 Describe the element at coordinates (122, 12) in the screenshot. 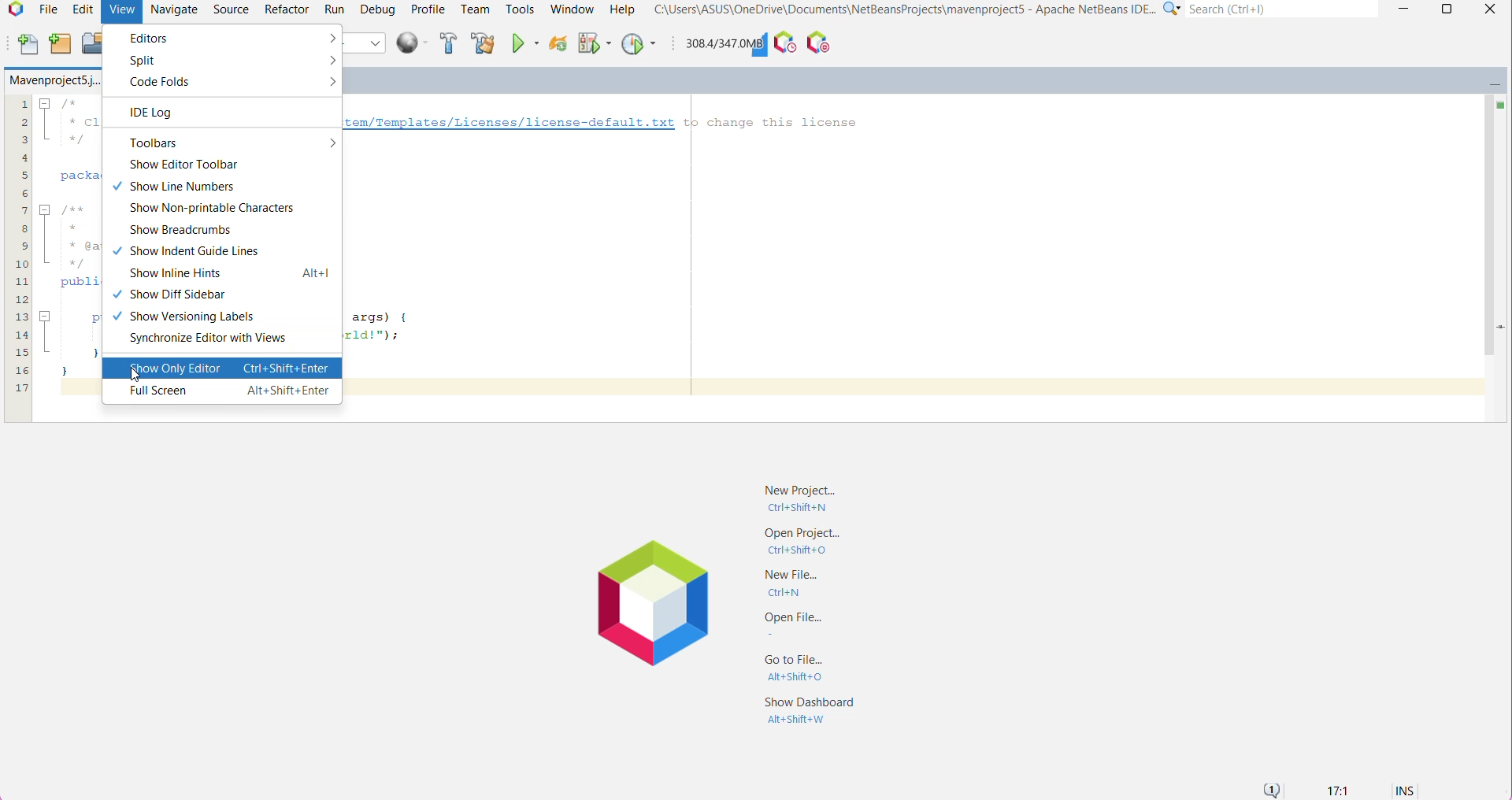

I see `View` at that location.